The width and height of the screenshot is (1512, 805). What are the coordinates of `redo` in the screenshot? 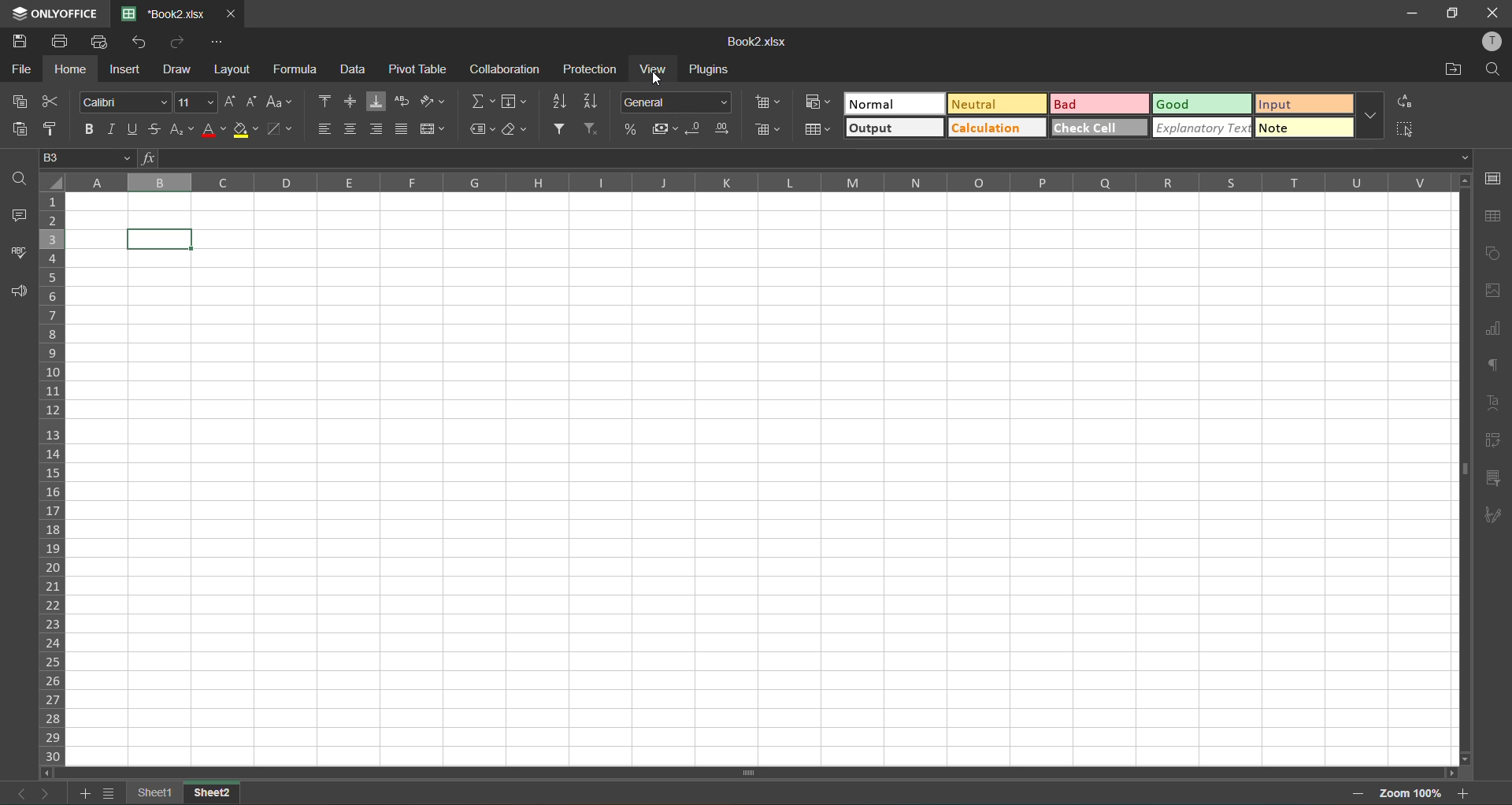 It's located at (176, 43).